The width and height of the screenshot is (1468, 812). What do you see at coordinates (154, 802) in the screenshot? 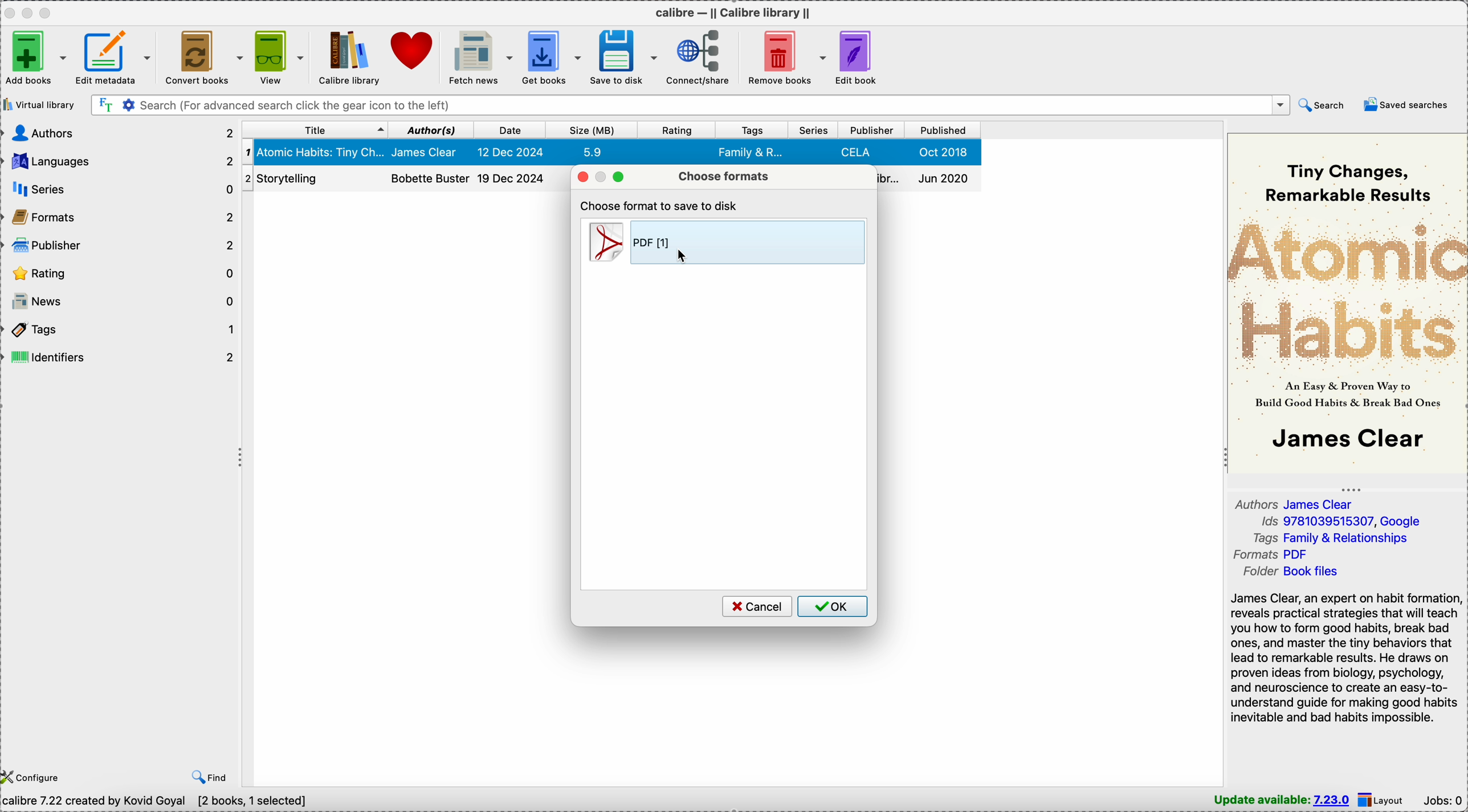
I see `calibre 7.22 created by Kovid Goyal [2 books, 1 selected]` at bounding box center [154, 802].